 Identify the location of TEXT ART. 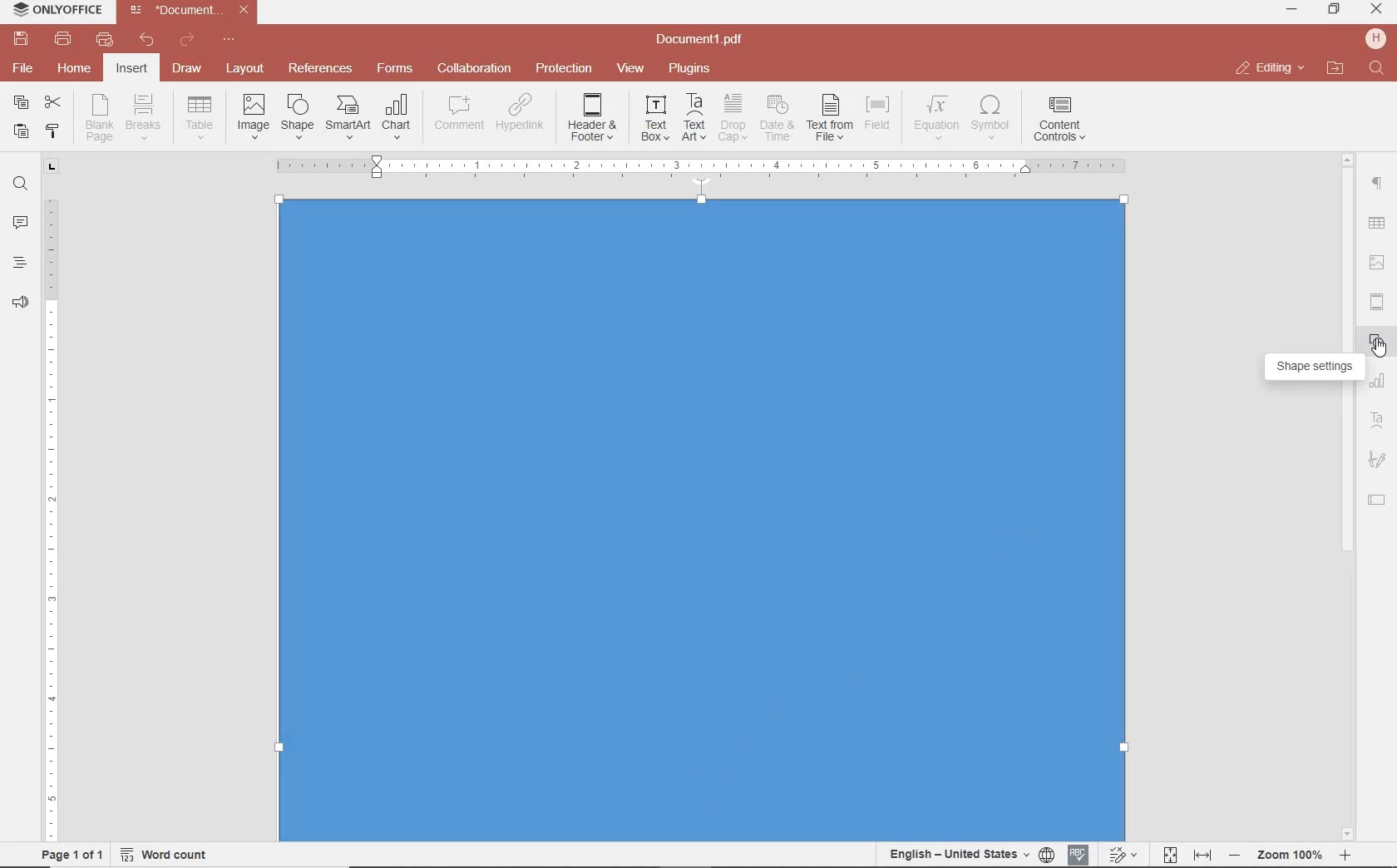
(1378, 422).